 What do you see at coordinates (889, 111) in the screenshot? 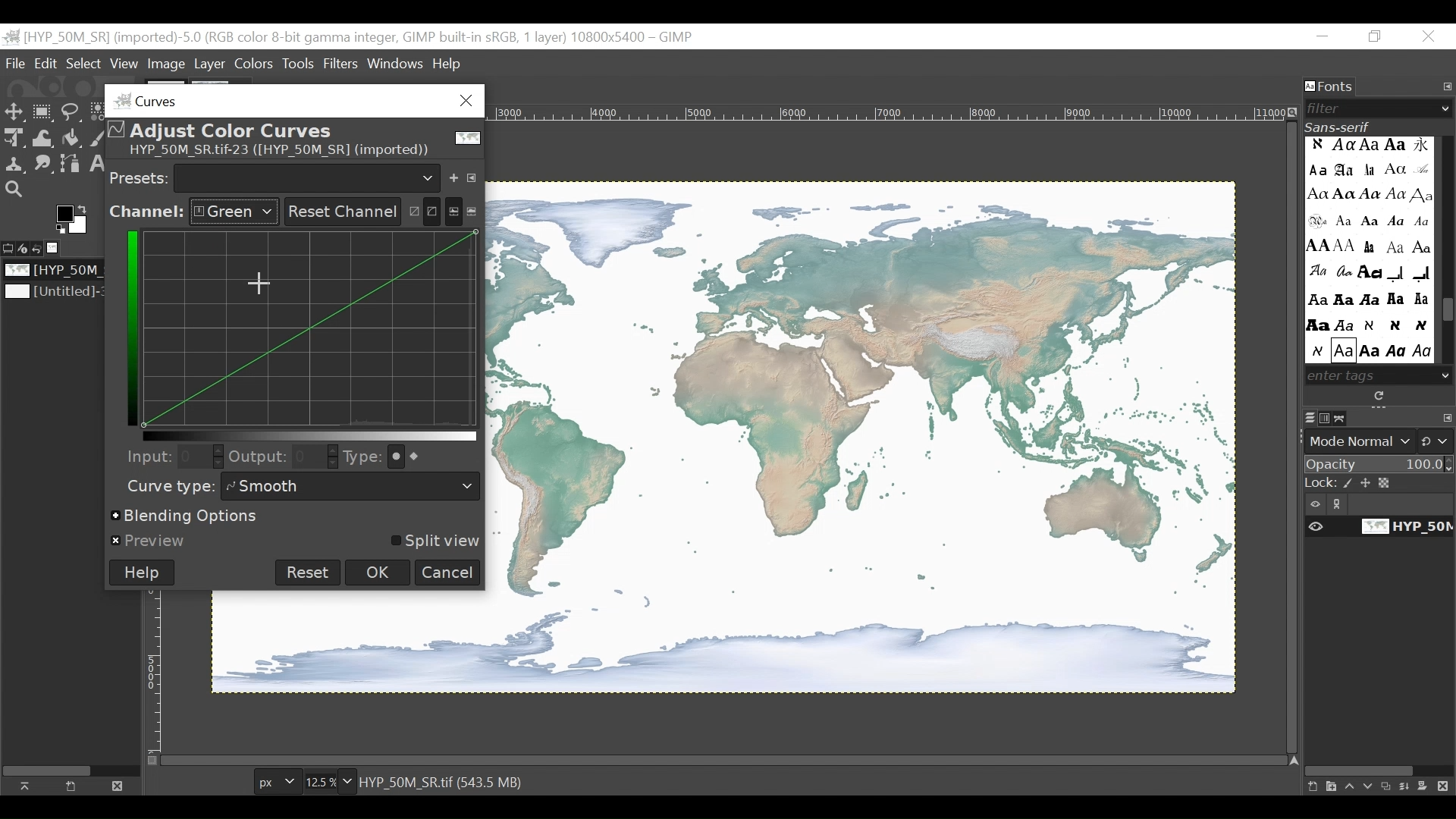
I see `Horizontal Ruler` at bounding box center [889, 111].